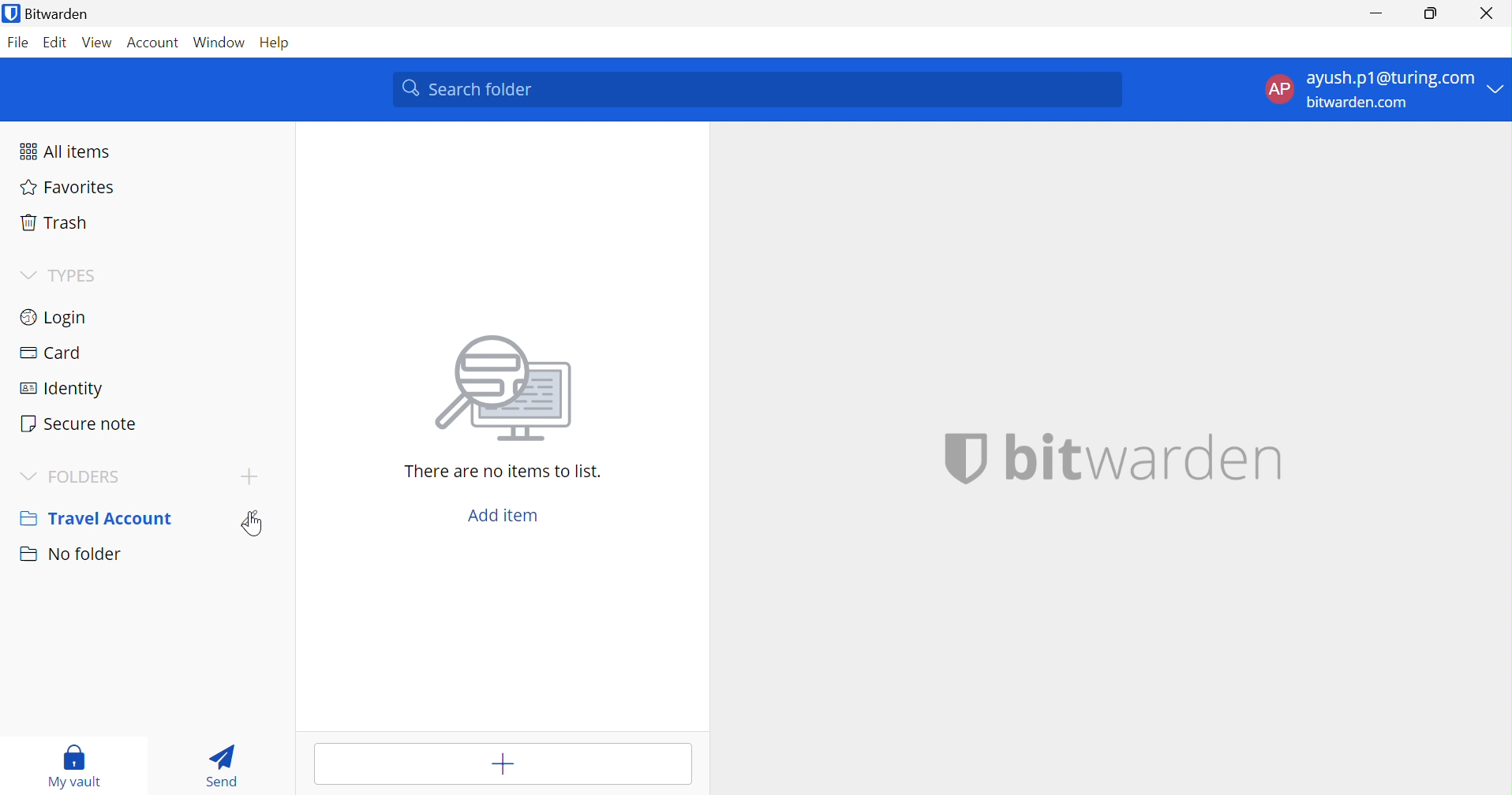 The image size is (1512, 795). Describe the element at coordinates (504, 471) in the screenshot. I see `There are no items to list` at that location.